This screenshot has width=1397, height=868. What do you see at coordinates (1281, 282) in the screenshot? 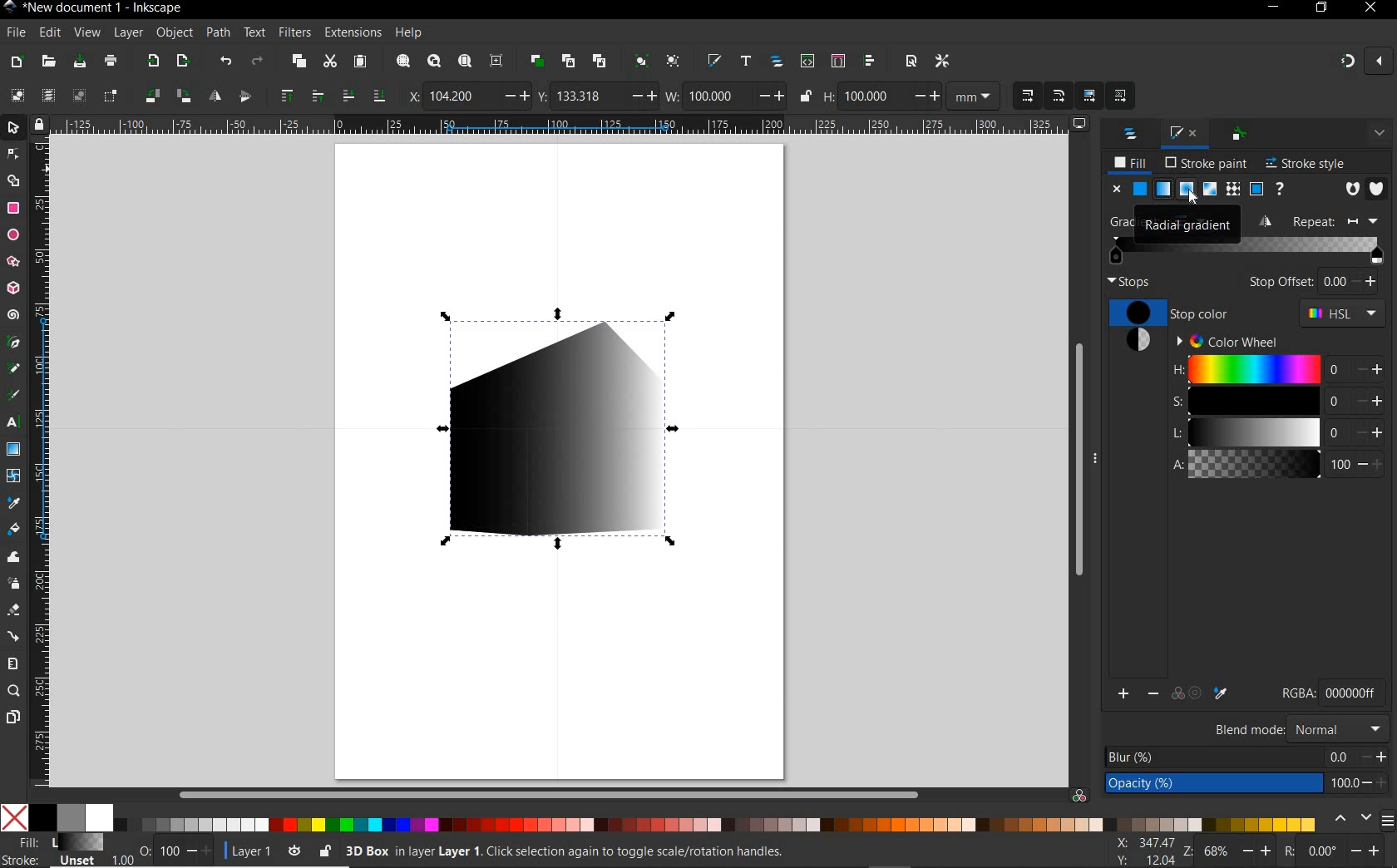
I see `stop offset` at bounding box center [1281, 282].